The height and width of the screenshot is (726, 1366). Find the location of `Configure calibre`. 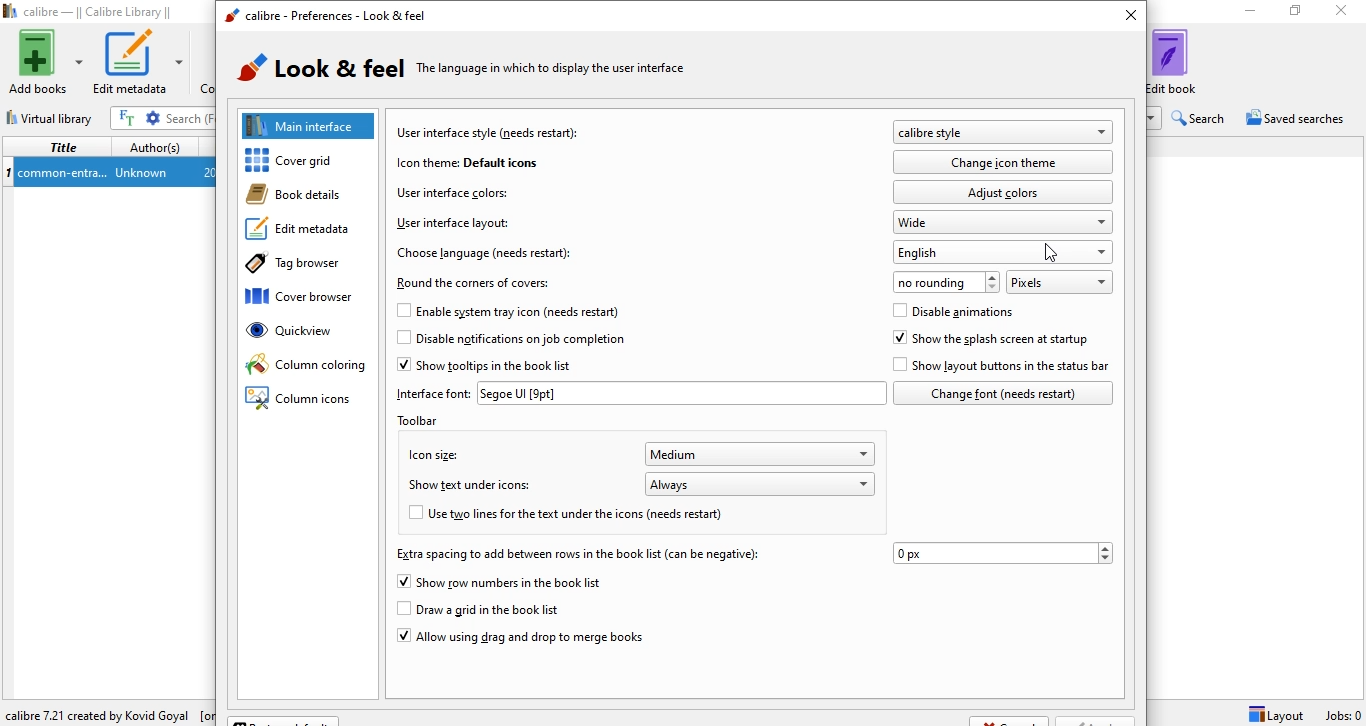

Configure calibre is located at coordinates (106, 711).